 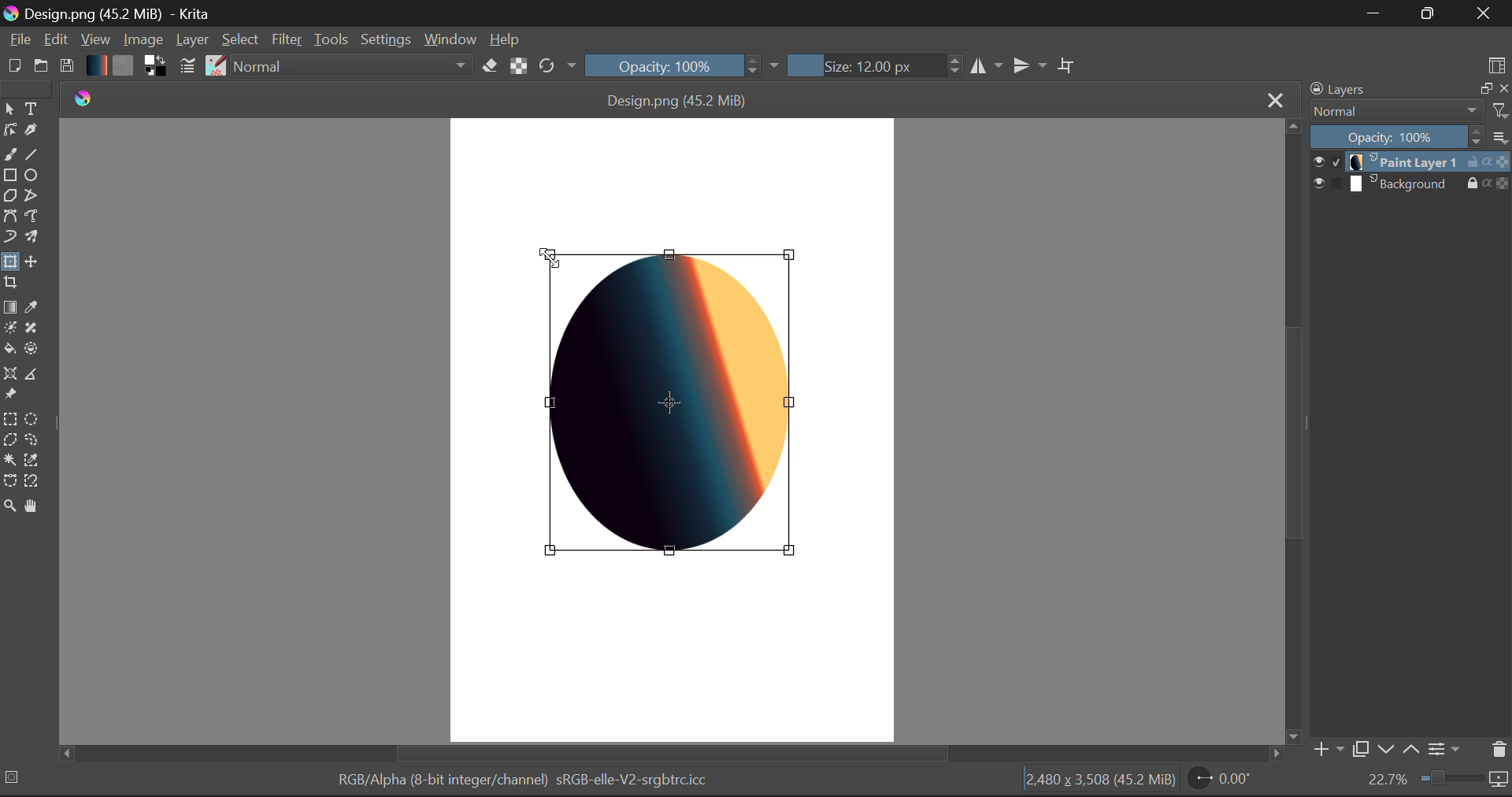 I want to click on Opacity, so click(x=1412, y=136).